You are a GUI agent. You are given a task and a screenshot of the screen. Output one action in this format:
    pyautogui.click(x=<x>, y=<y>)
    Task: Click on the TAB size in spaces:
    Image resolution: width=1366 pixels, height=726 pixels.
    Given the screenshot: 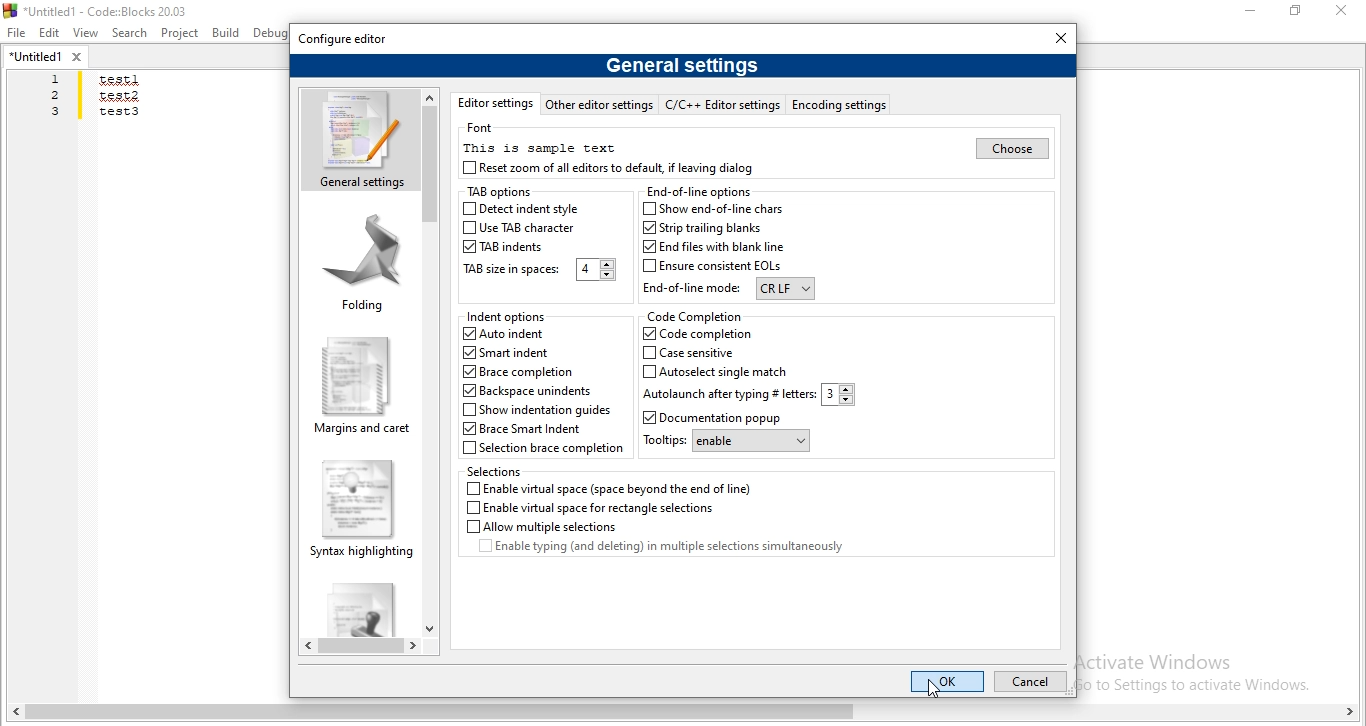 What is the action you would take?
    pyautogui.click(x=537, y=270)
    